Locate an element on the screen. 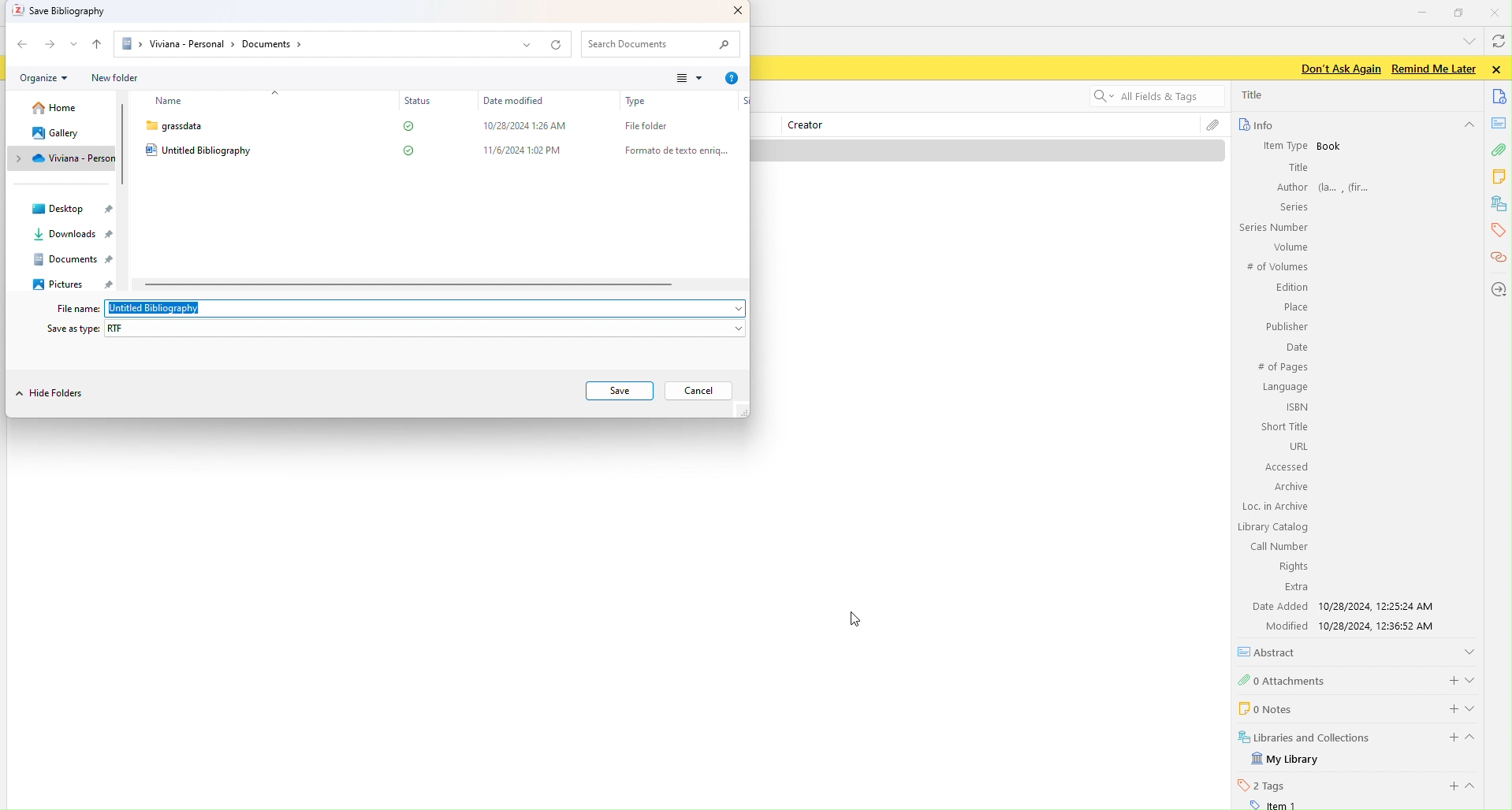  Library Catalog is located at coordinates (1274, 527).